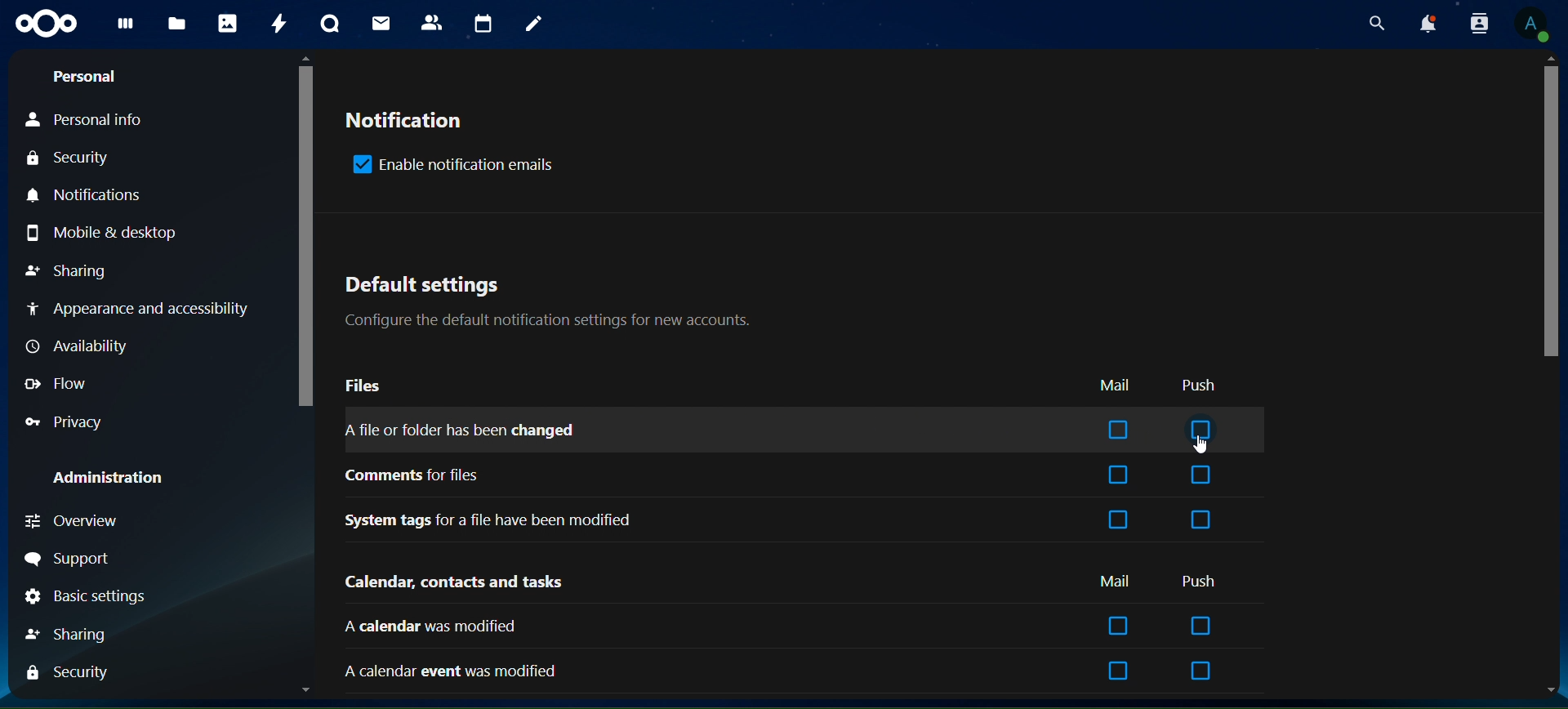 Image resolution: width=1568 pixels, height=709 pixels. Describe the element at coordinates (330, 24) in the screenshot. I see `talk` at that location.